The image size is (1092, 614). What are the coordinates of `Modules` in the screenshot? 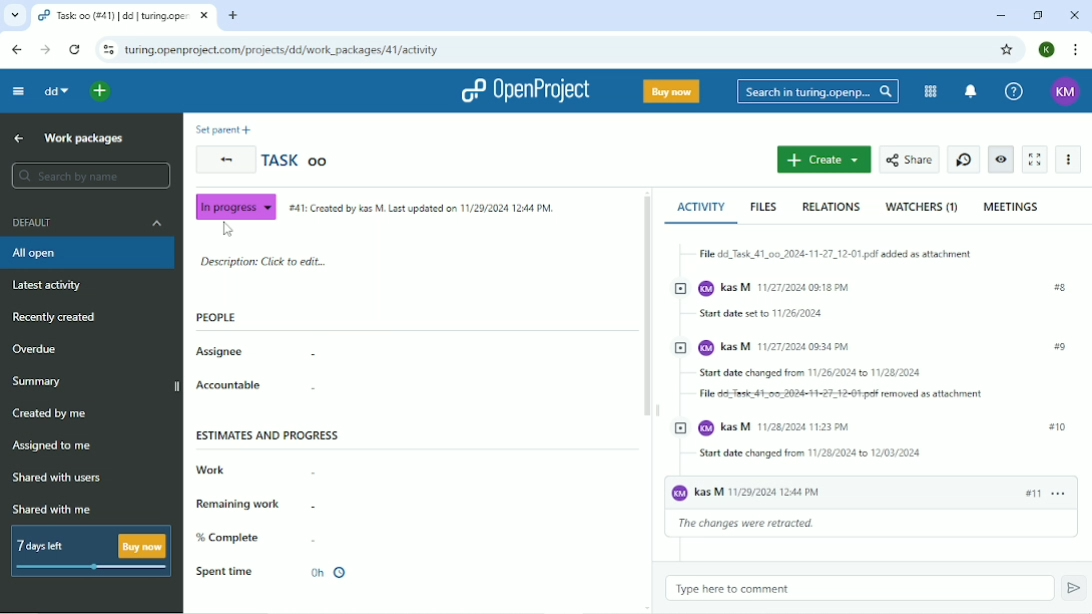 It's located at (931, 91).